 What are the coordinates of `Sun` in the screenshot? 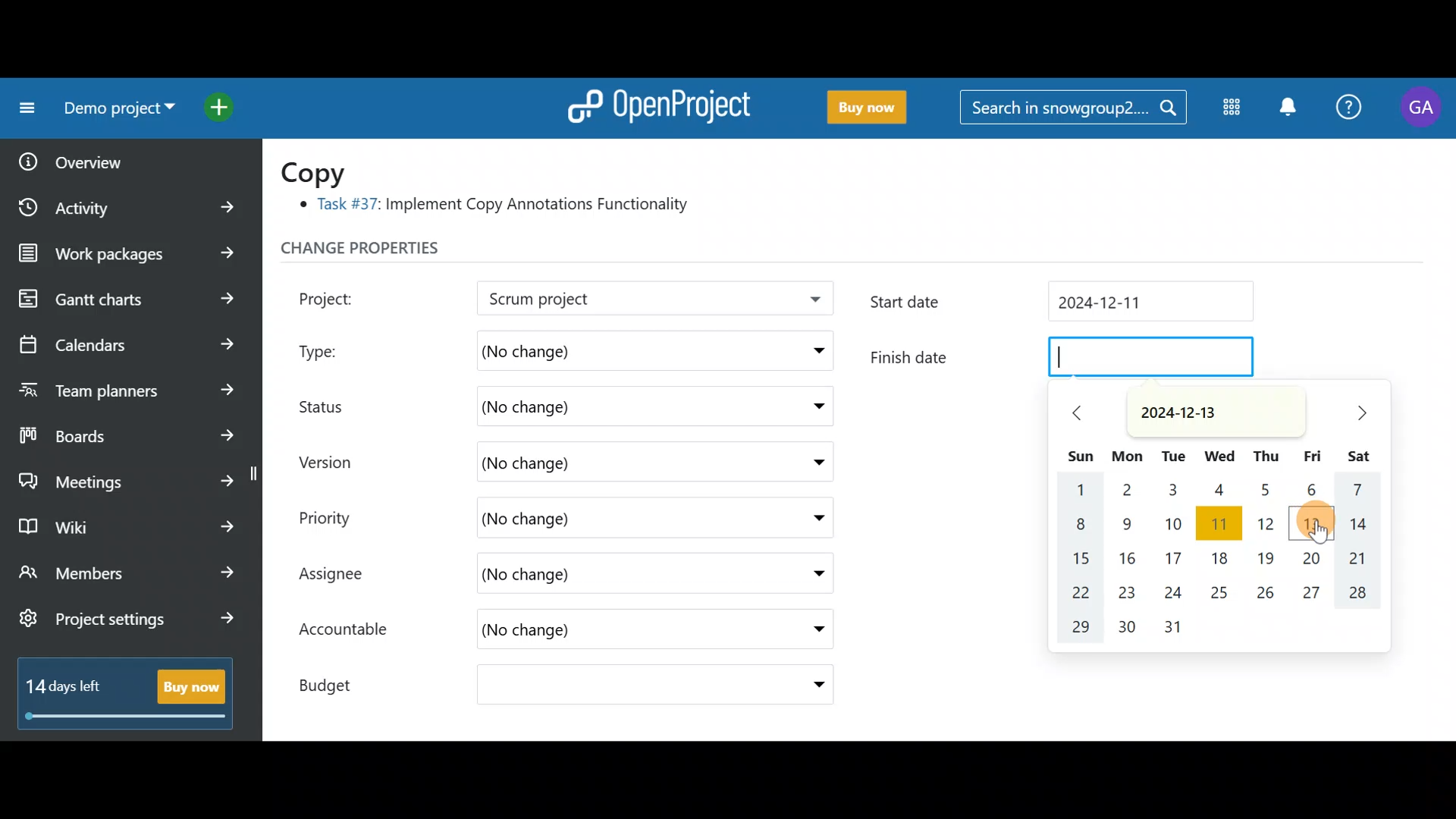 It's located at (1081, 451).